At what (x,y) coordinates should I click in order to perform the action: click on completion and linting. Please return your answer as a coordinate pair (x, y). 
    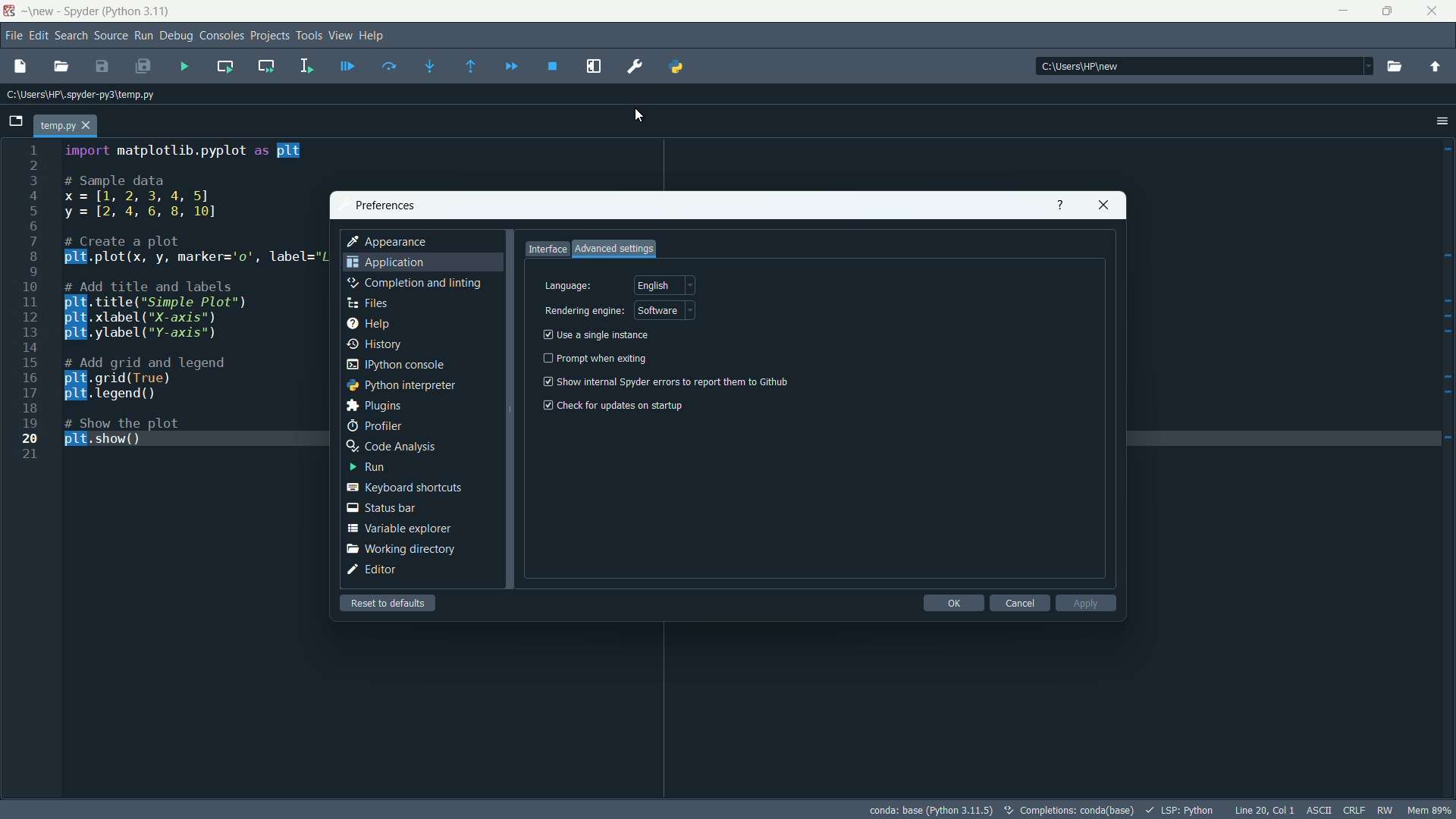
    Looking at the image, I should click on (413, 283).